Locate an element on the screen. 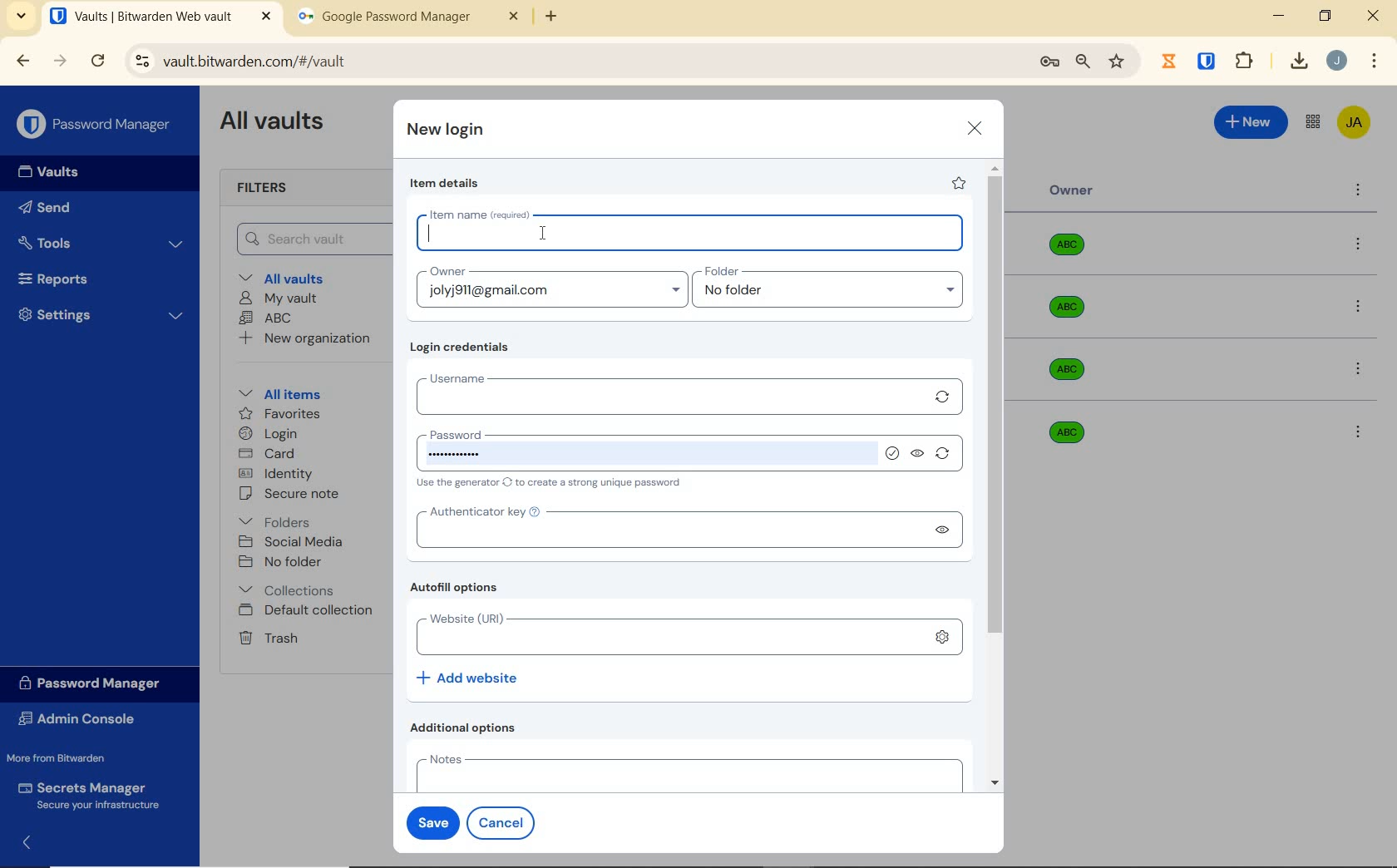 The width and height of the screenshot is (1397, 868). no folder is located at coordinates (834, 294).